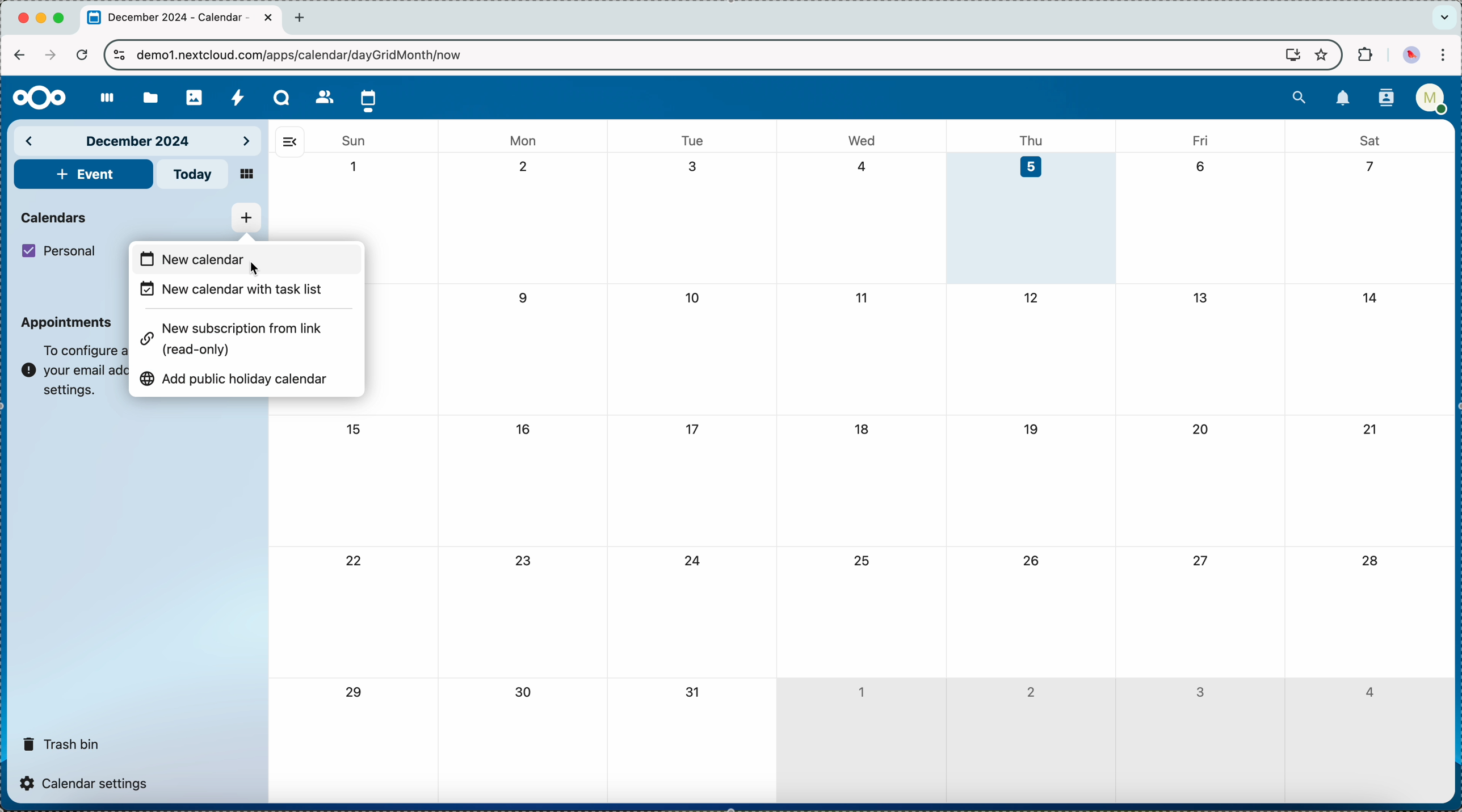  I want to click on 3, so click(1200, 693).